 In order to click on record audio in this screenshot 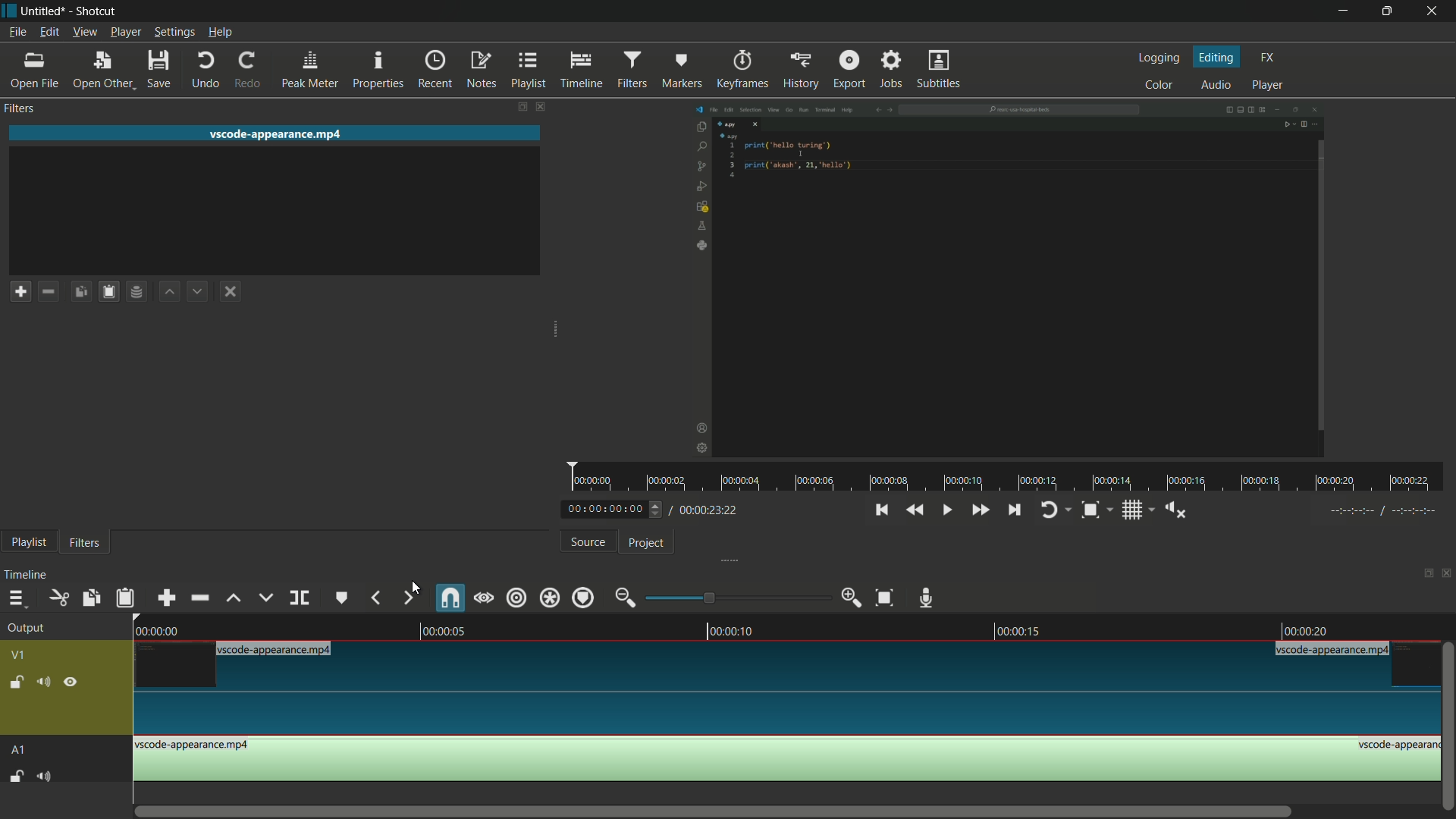, I will do `click(927, 596)`.